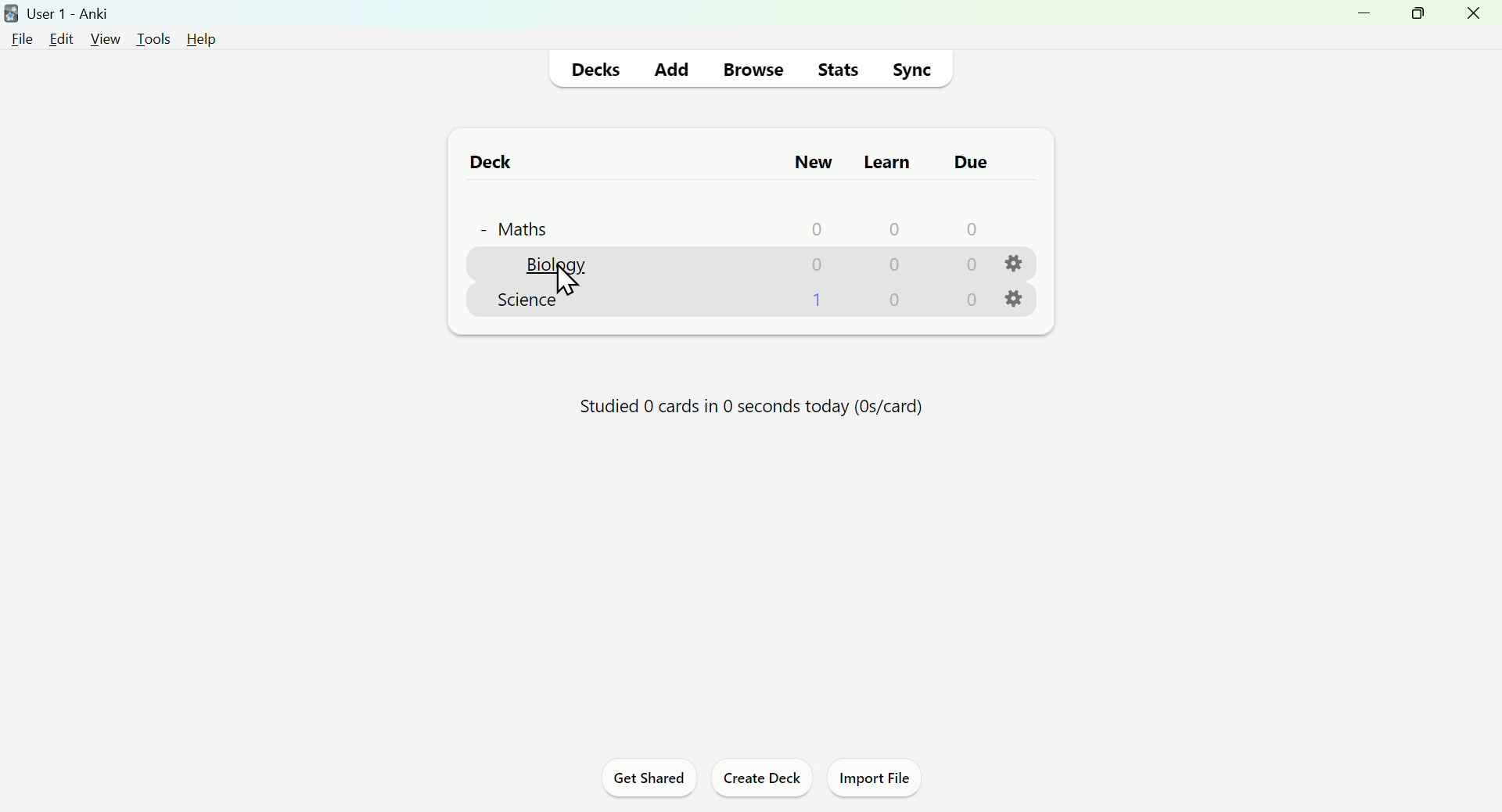 The image size is (1502, 812). I want to click on 0, so click(968, 266).